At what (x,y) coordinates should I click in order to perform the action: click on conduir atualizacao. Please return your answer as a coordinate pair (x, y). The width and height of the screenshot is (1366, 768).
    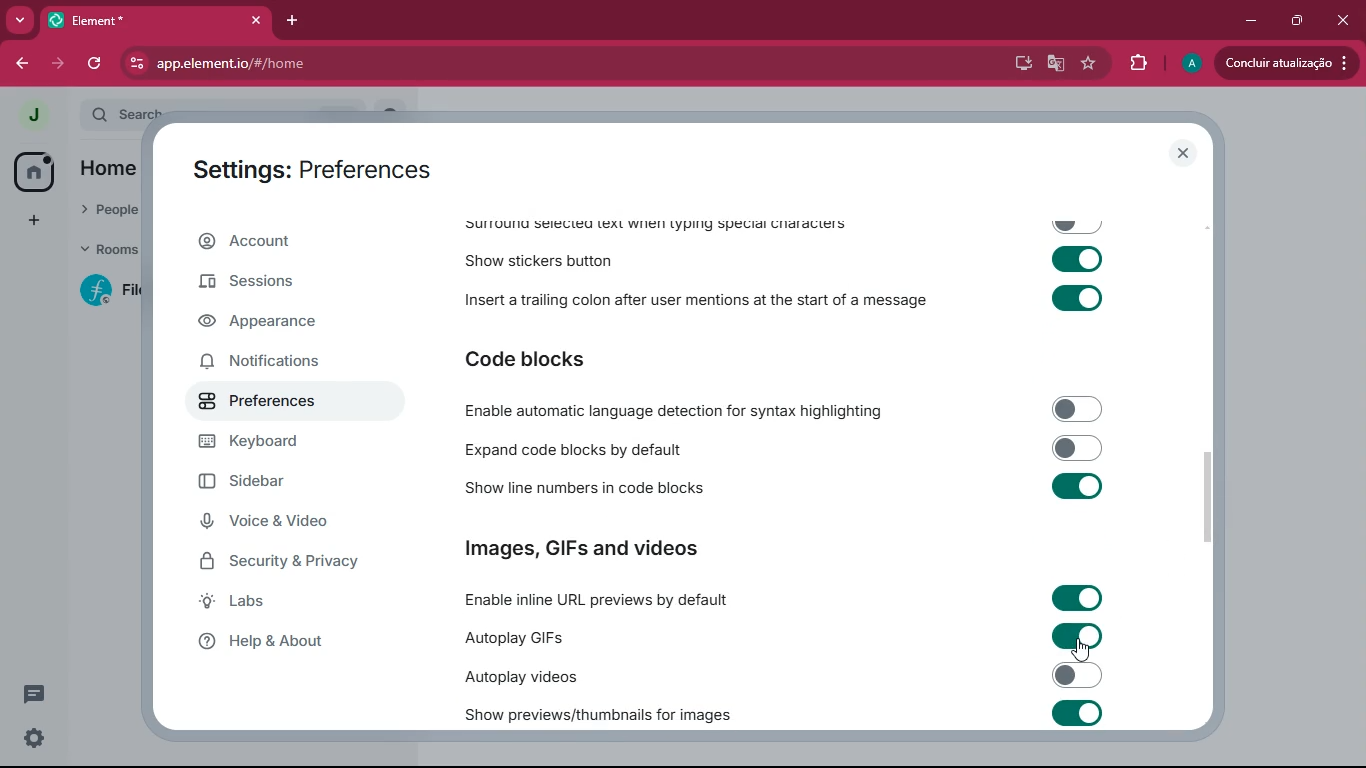
    Looking at the image, I should click on (1287, 63).